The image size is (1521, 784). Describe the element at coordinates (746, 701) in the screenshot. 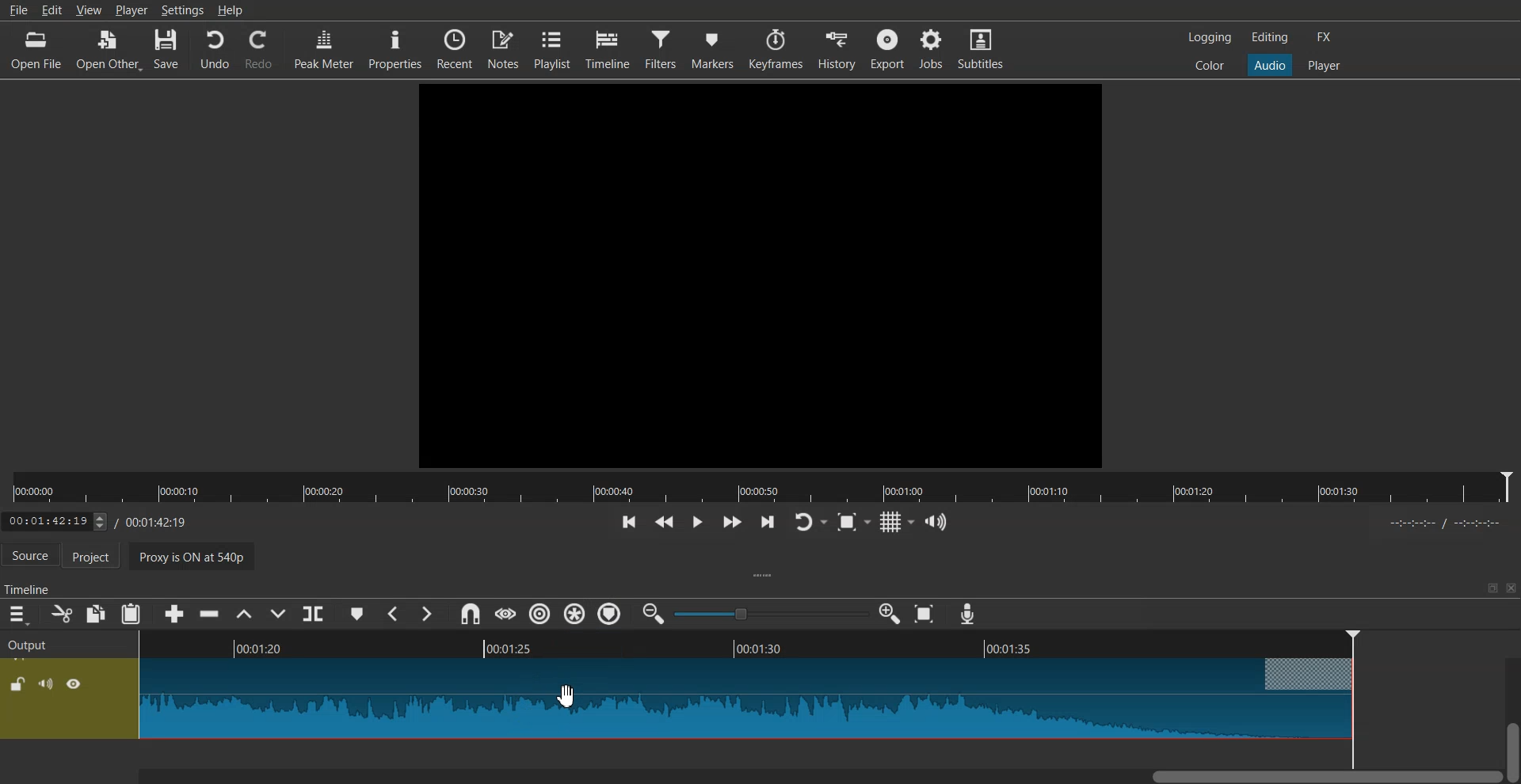

I see `Waveform` at that location.